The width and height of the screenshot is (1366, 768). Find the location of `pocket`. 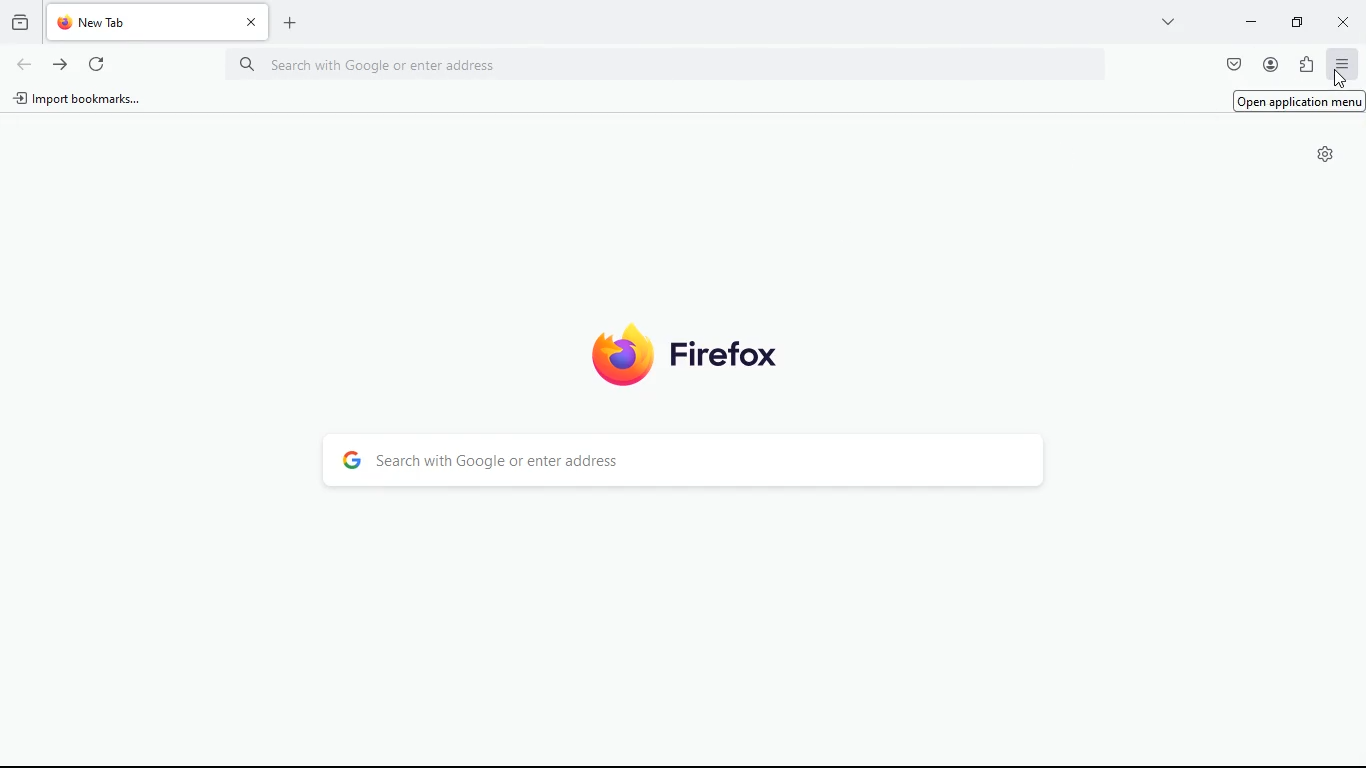

pocket is located at coordinates (1233, 64).